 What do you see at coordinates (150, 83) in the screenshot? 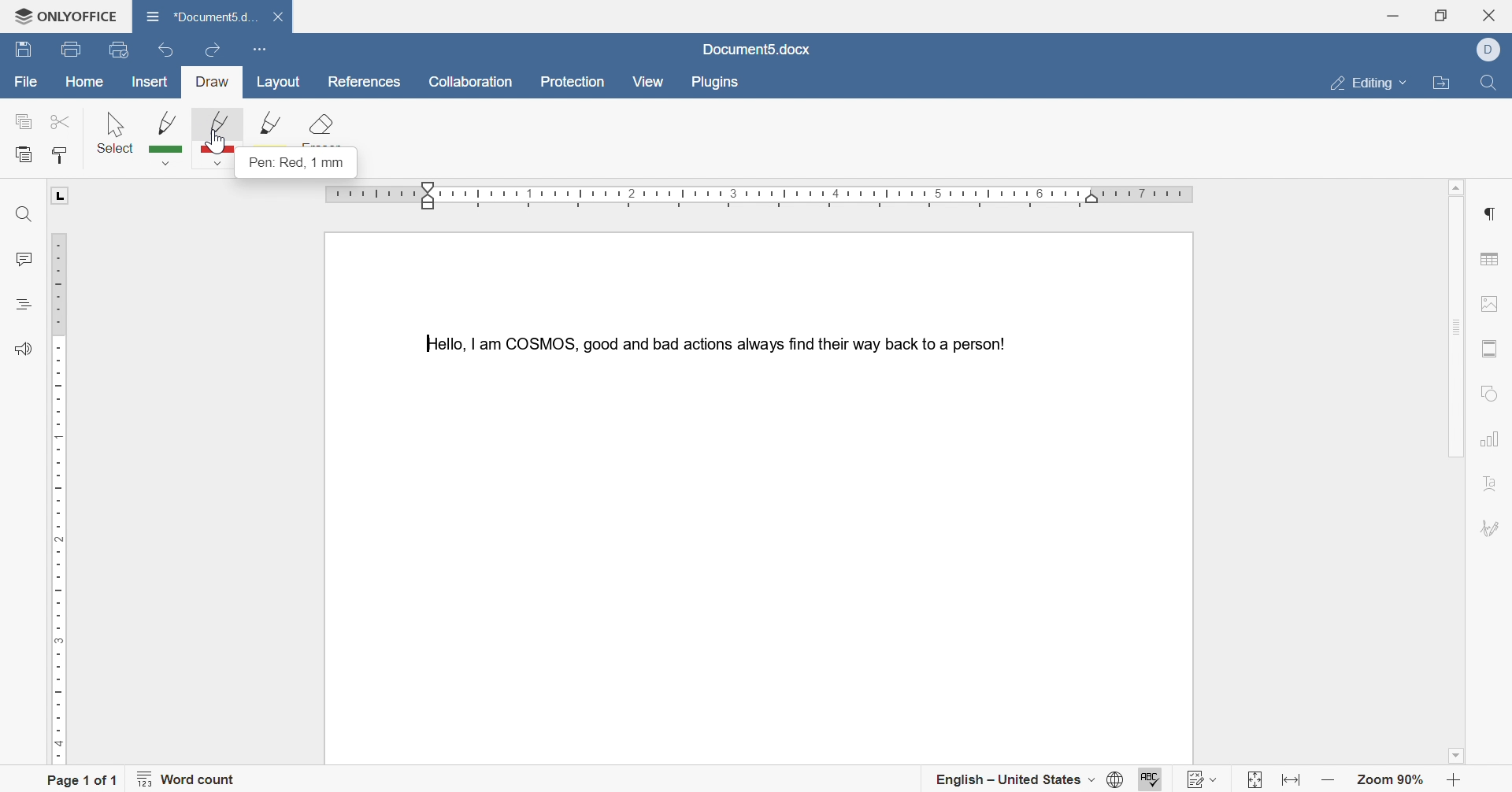
I see `insert` at bounding box center [150, 83].